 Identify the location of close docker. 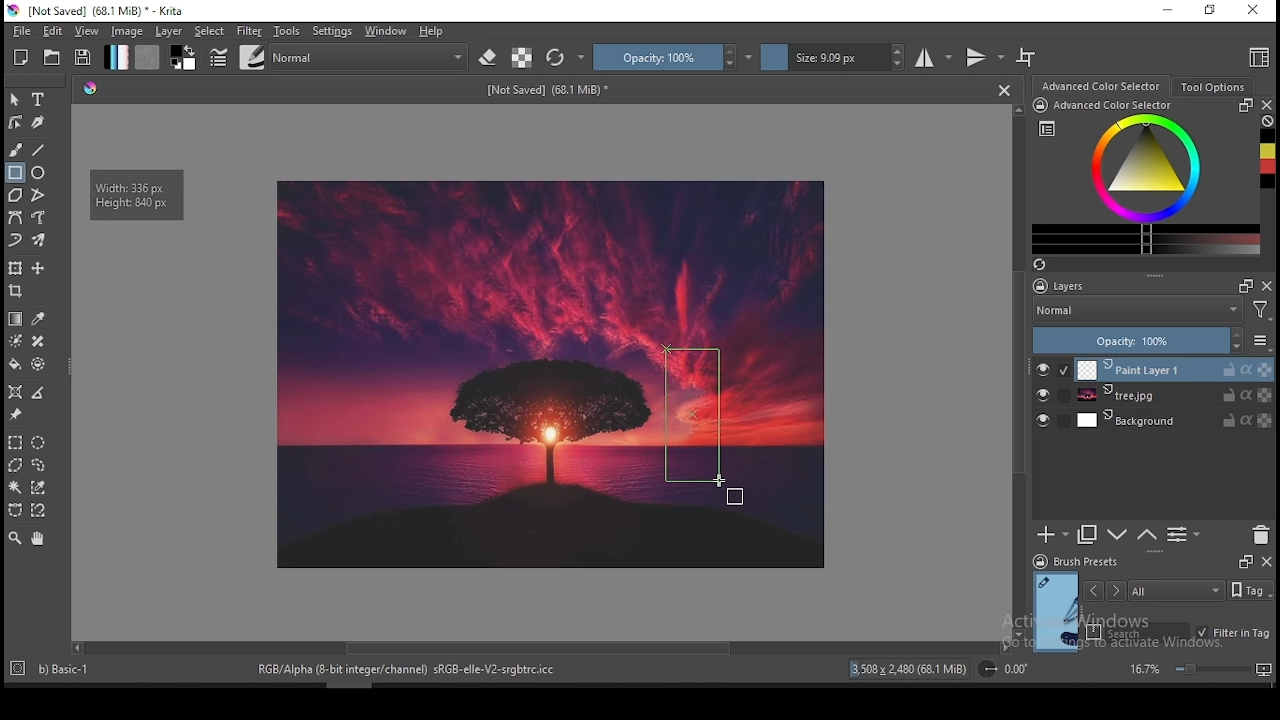
(1268, 286).